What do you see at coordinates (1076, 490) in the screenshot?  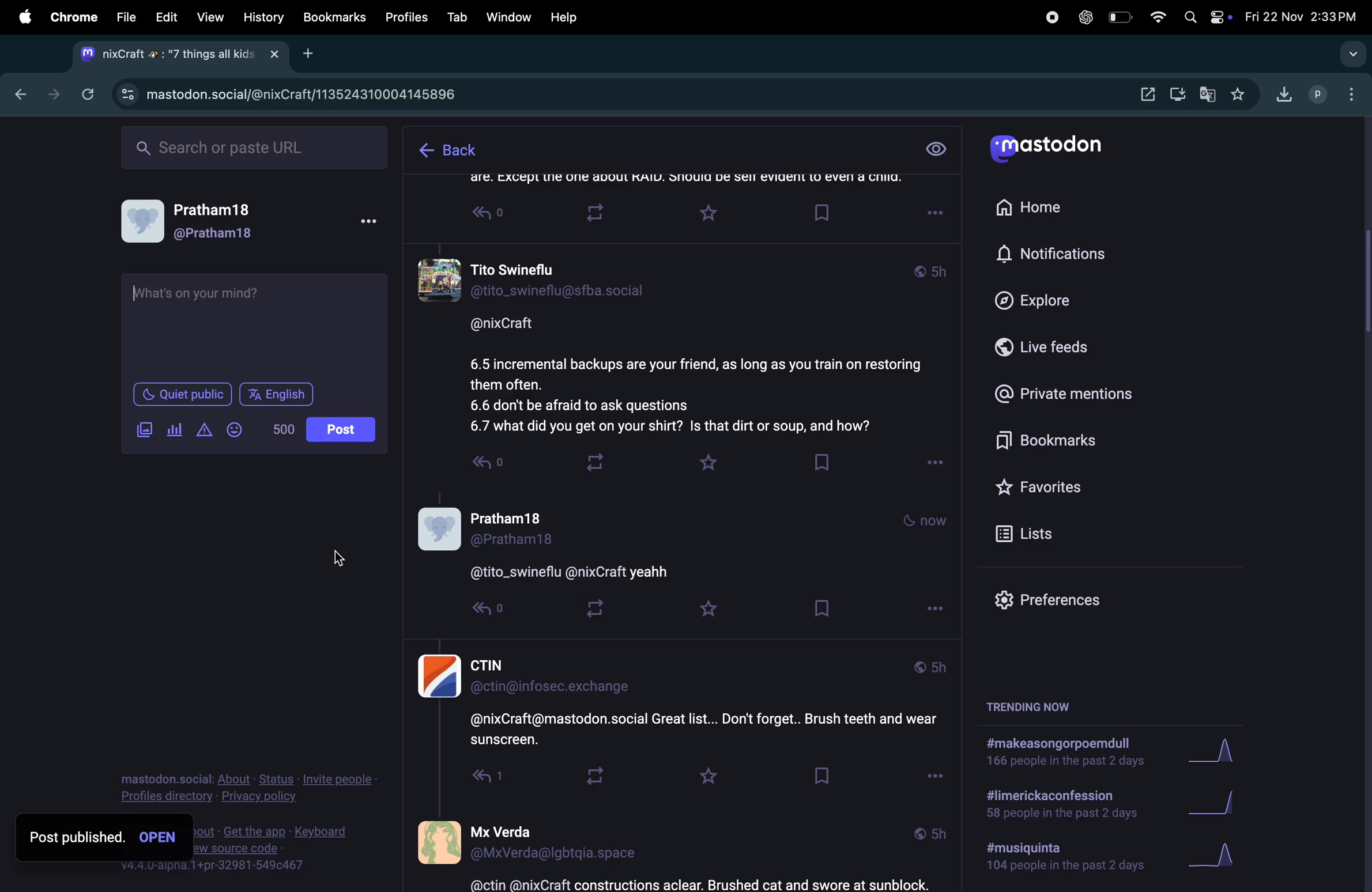 I see `favourites` at bounding box center [1076, 490].